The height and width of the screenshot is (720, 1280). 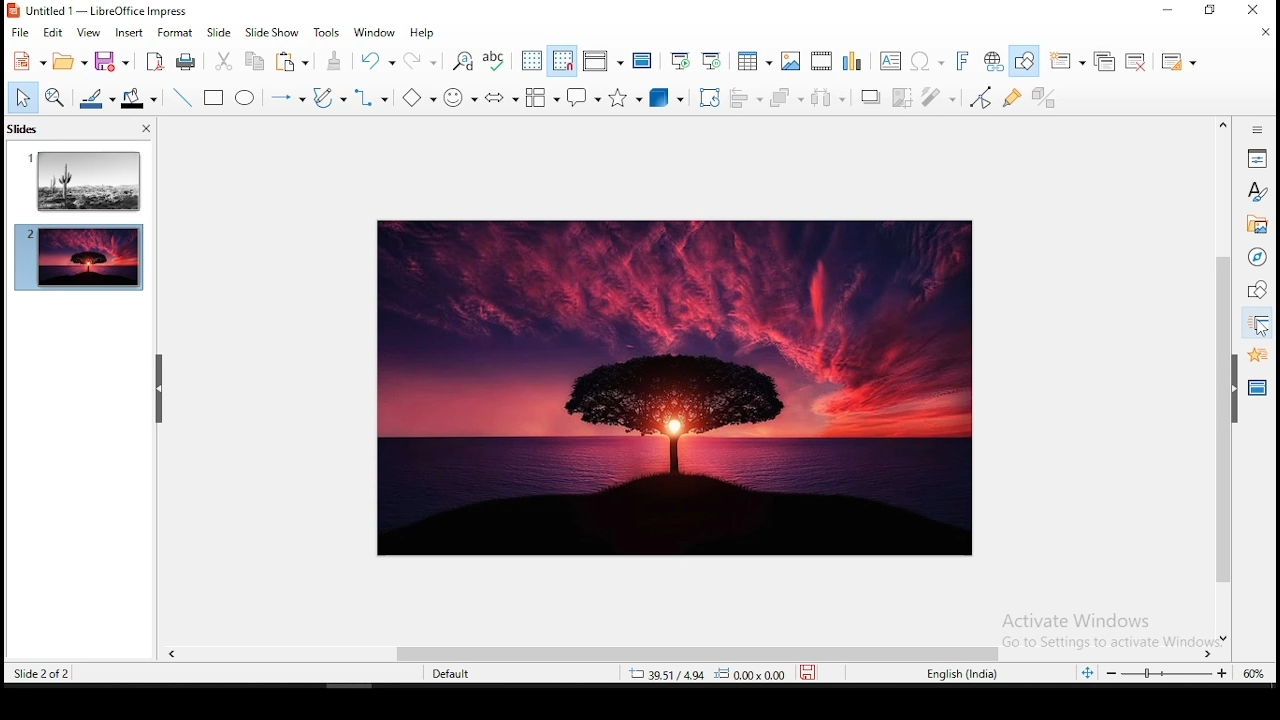 I want to click on align objects, so click(x=749, y=99).